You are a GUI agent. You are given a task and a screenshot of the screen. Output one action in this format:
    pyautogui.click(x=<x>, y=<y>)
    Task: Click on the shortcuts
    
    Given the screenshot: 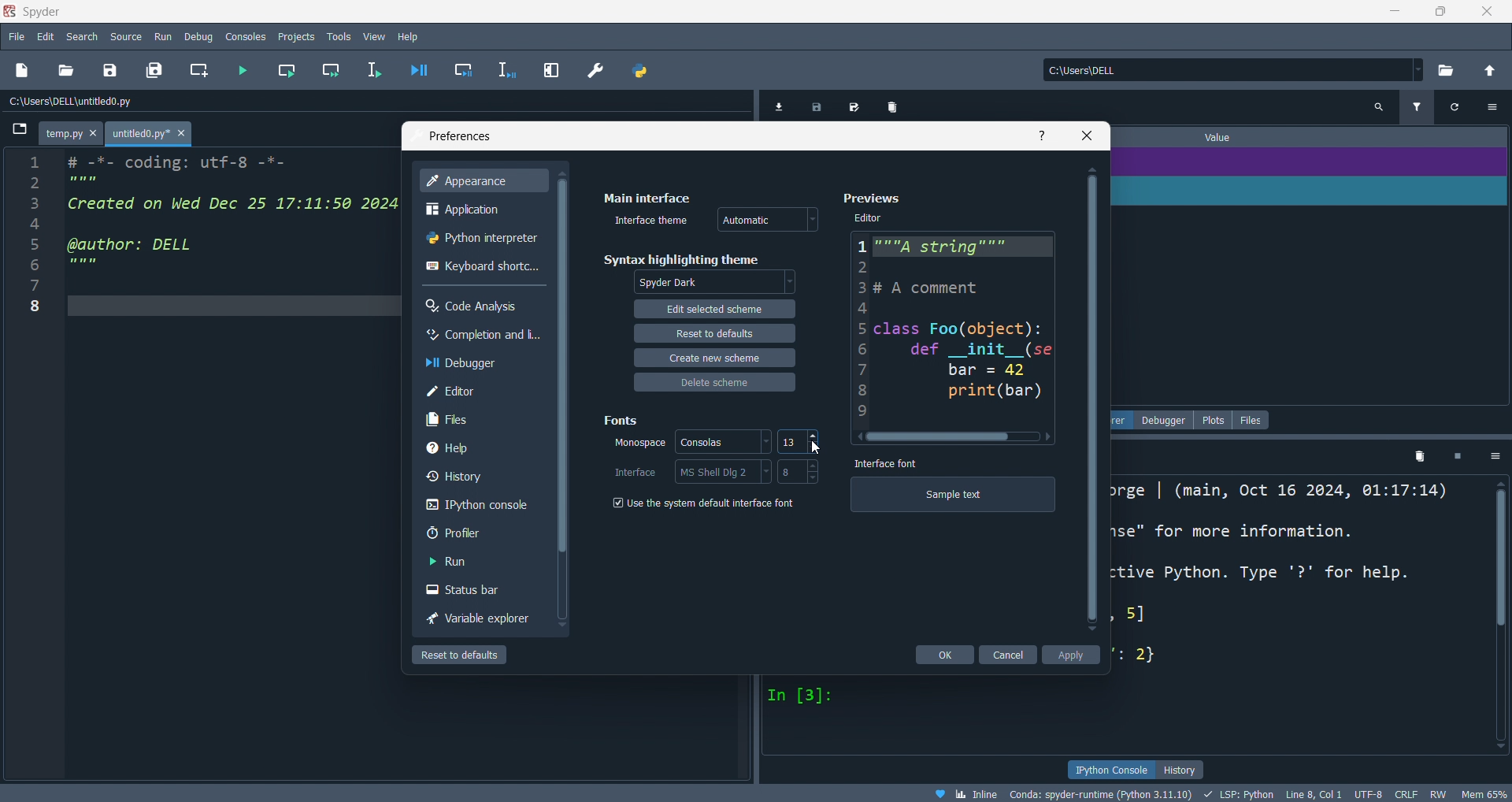 What is the action you would take?
    pyautogui.click(x=485, y=267)
    